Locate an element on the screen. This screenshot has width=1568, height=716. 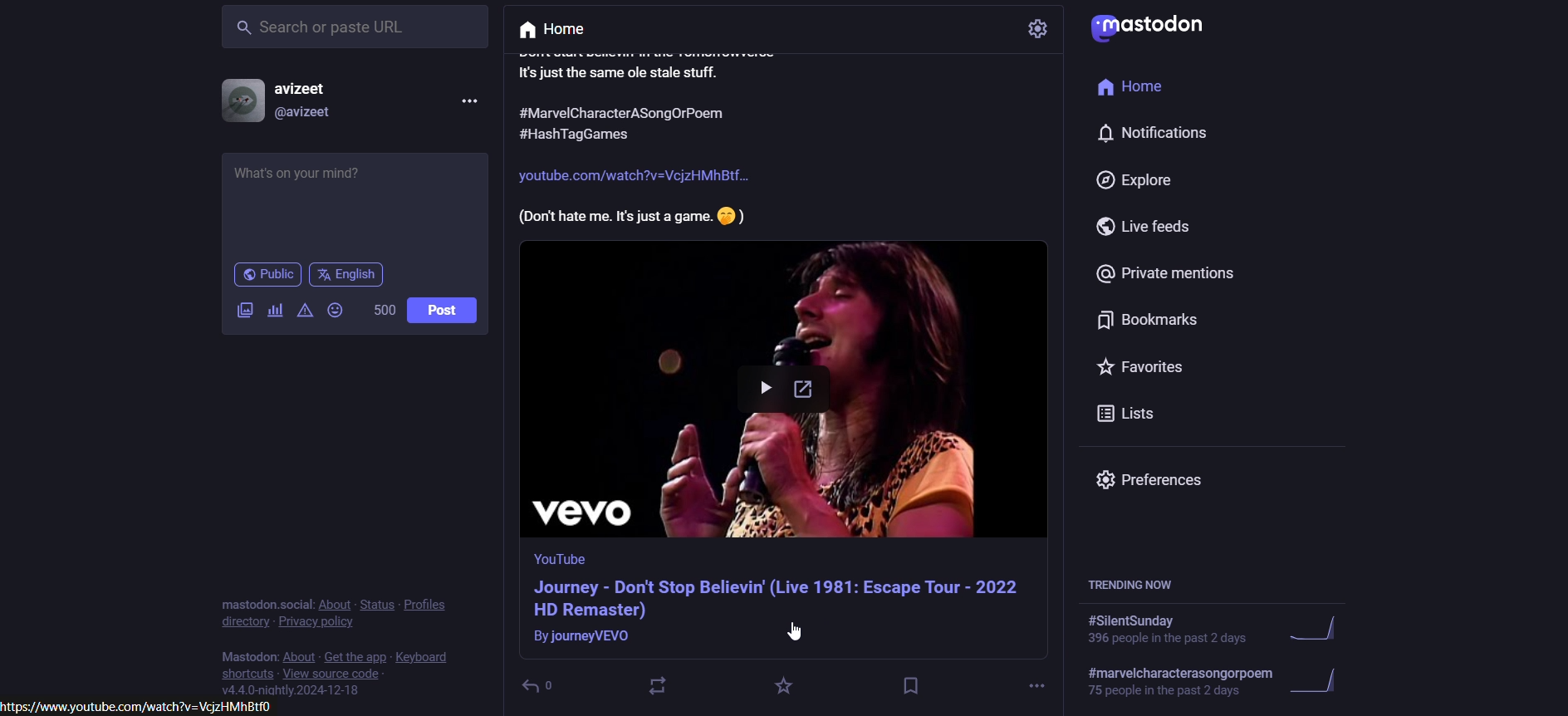
notification is located at coordinates (1152, 134).